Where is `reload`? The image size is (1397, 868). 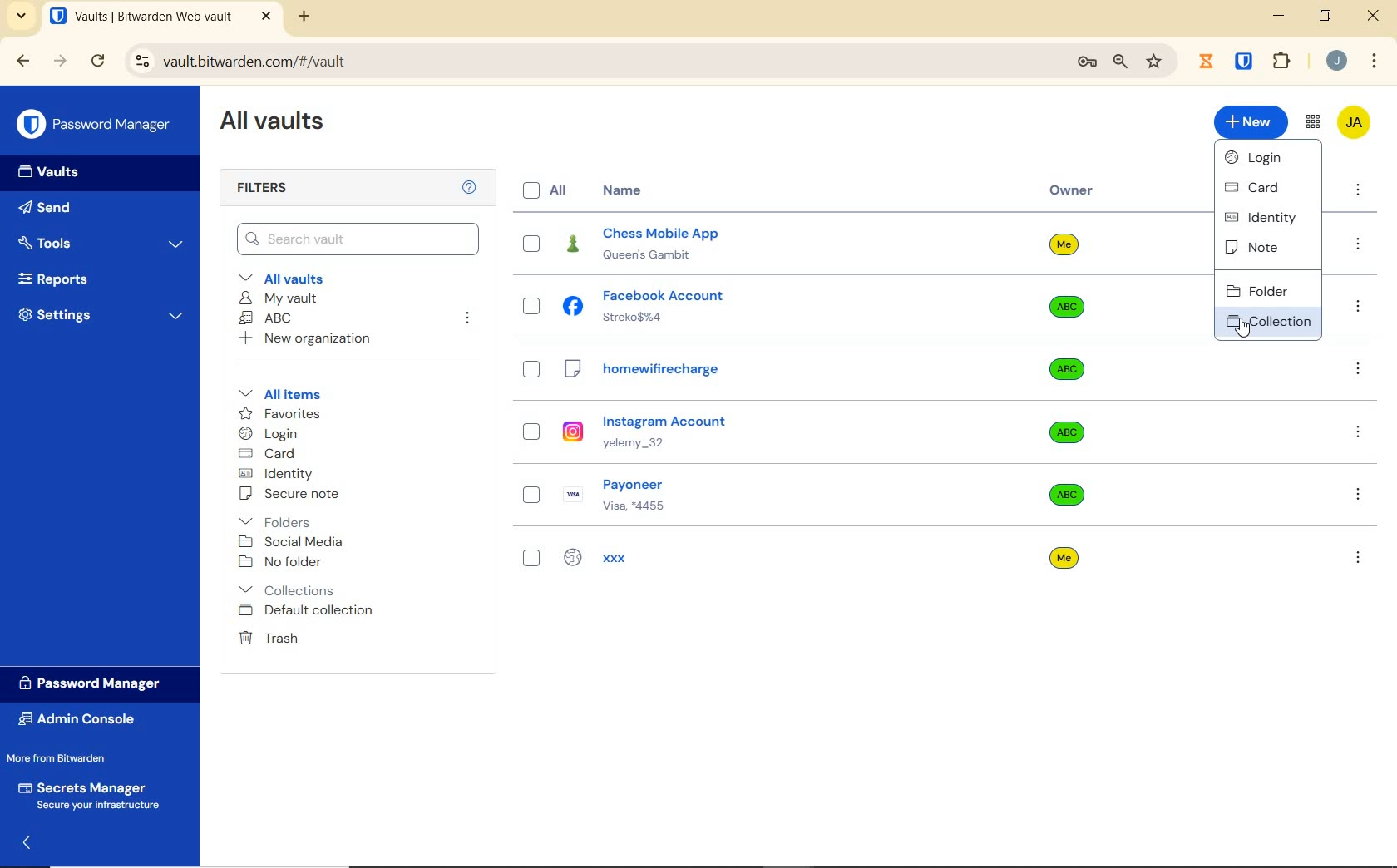
reload is located at coordinates (101, 62).